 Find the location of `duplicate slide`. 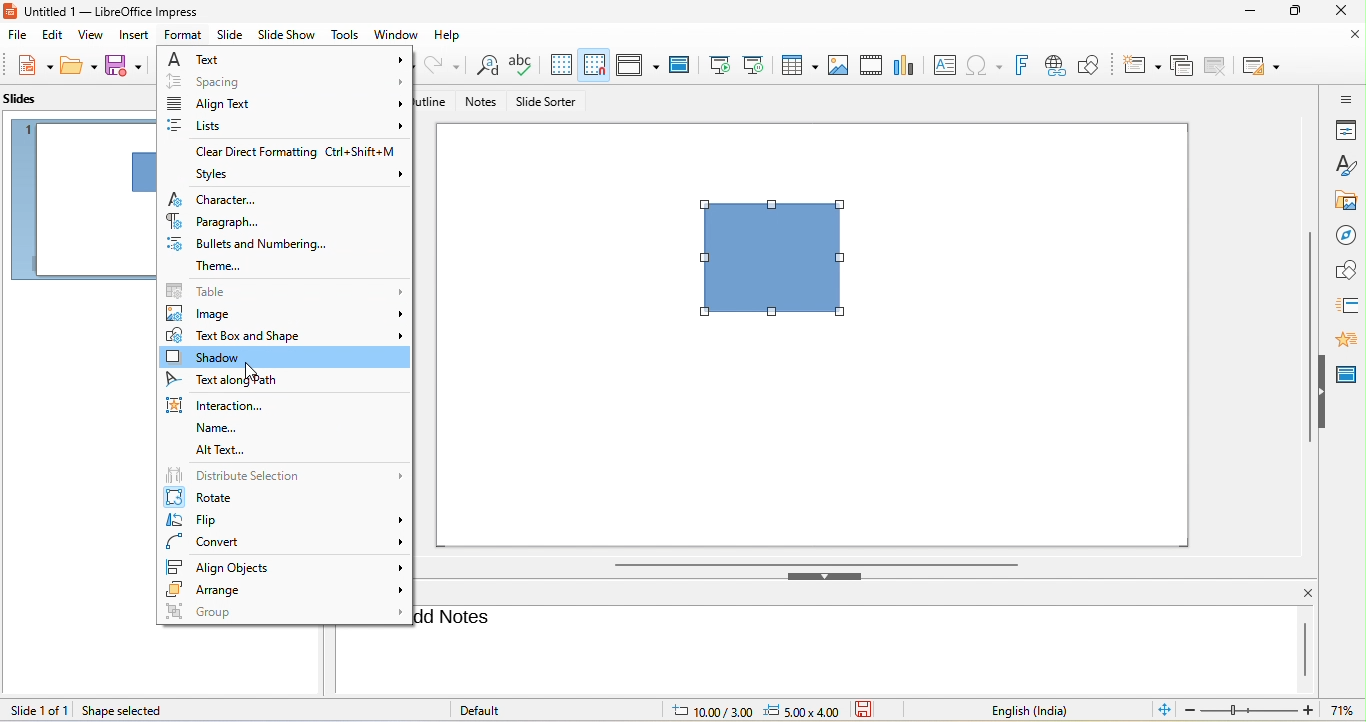

duplicate slide is located at coordinates (1183, 67).